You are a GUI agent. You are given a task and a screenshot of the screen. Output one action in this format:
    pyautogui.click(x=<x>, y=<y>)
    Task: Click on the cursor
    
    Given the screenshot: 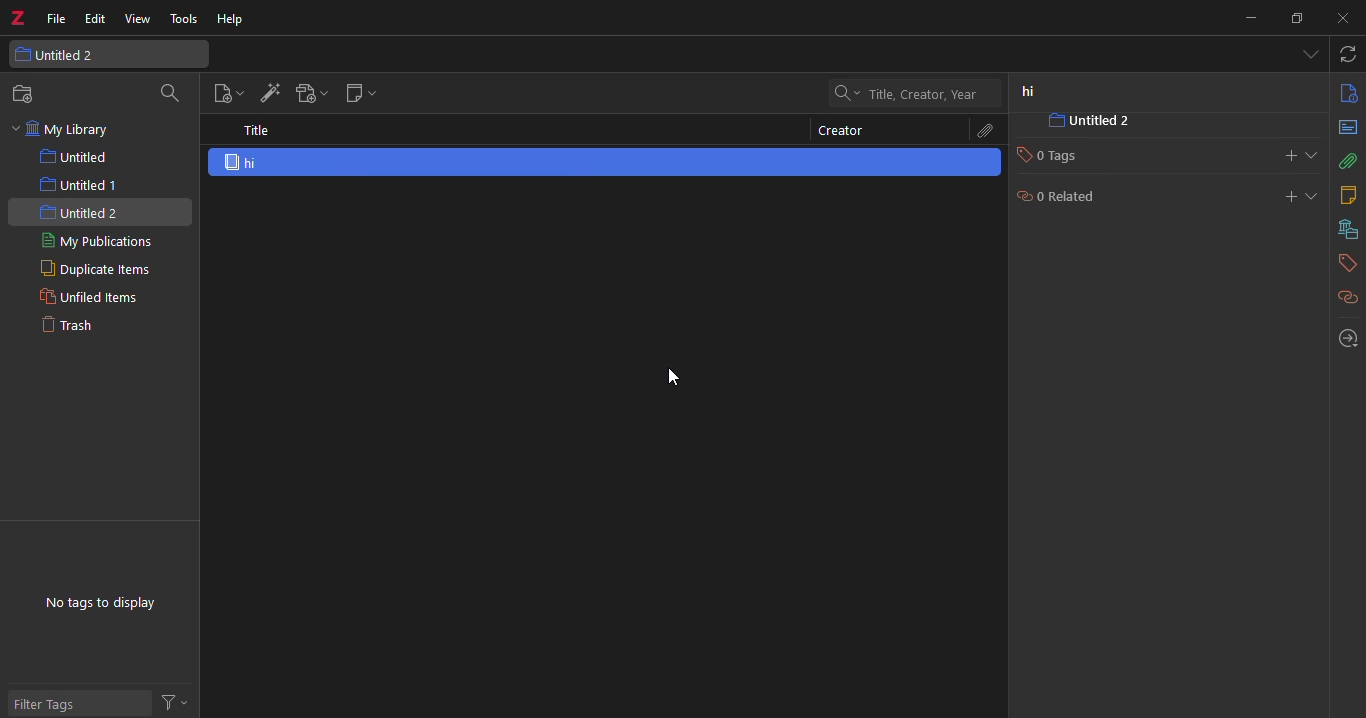 What is the action you would take?
    pyautogui.click(x=679, y=375)
    